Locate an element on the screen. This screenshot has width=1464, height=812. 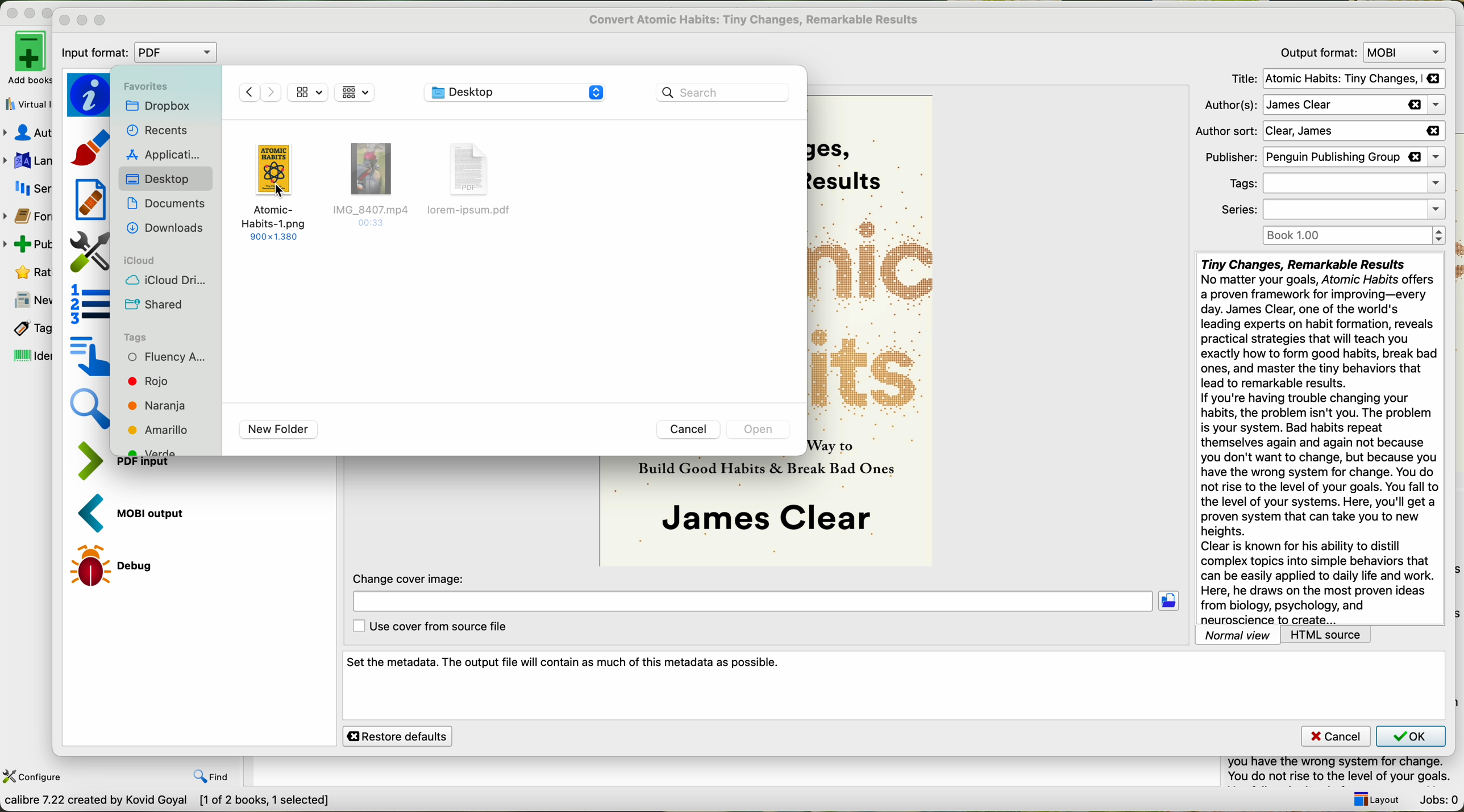
input format: PDF is located at coordinates (142, 53).